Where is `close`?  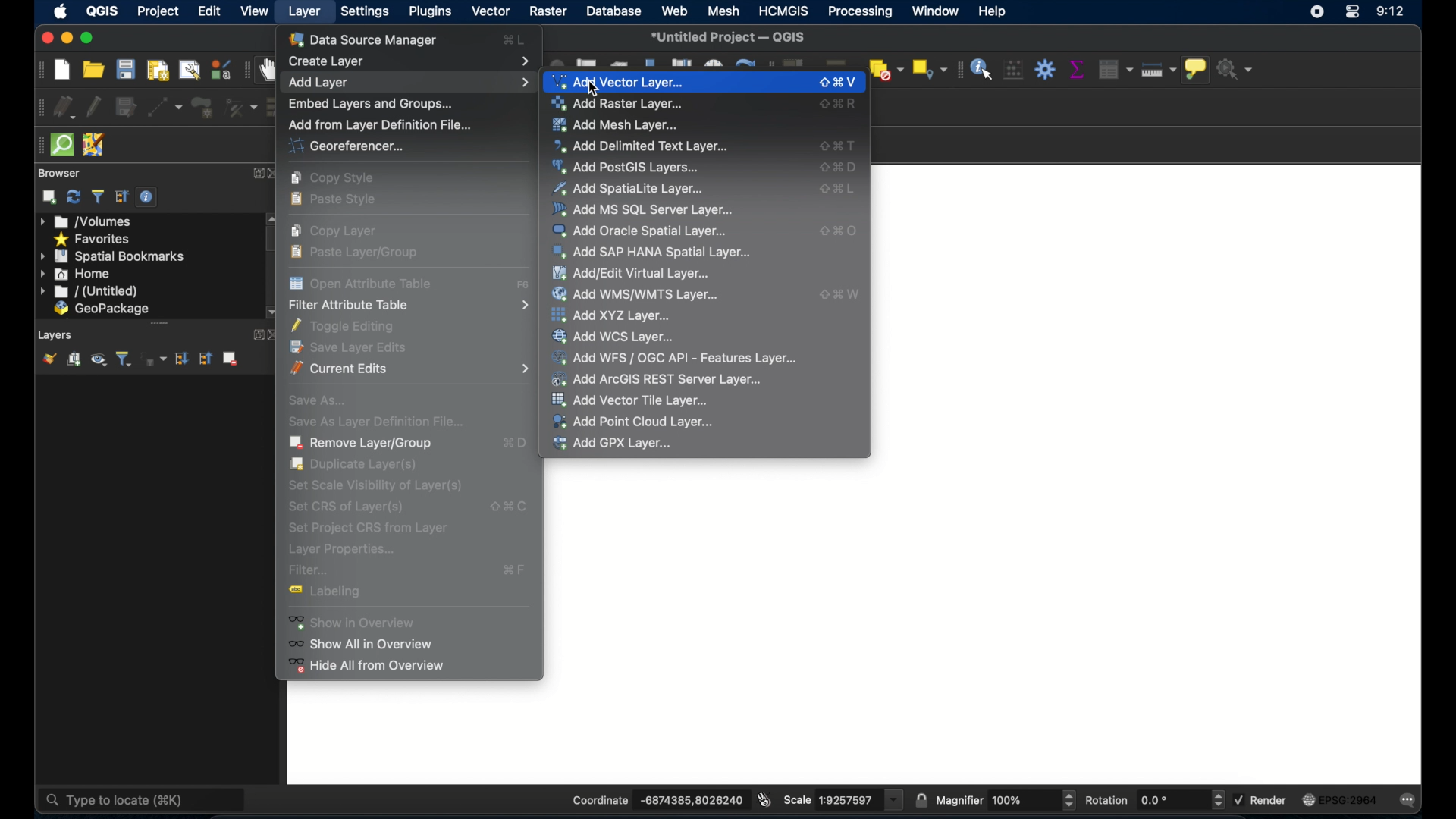 close is located at coordinates (276, 174).